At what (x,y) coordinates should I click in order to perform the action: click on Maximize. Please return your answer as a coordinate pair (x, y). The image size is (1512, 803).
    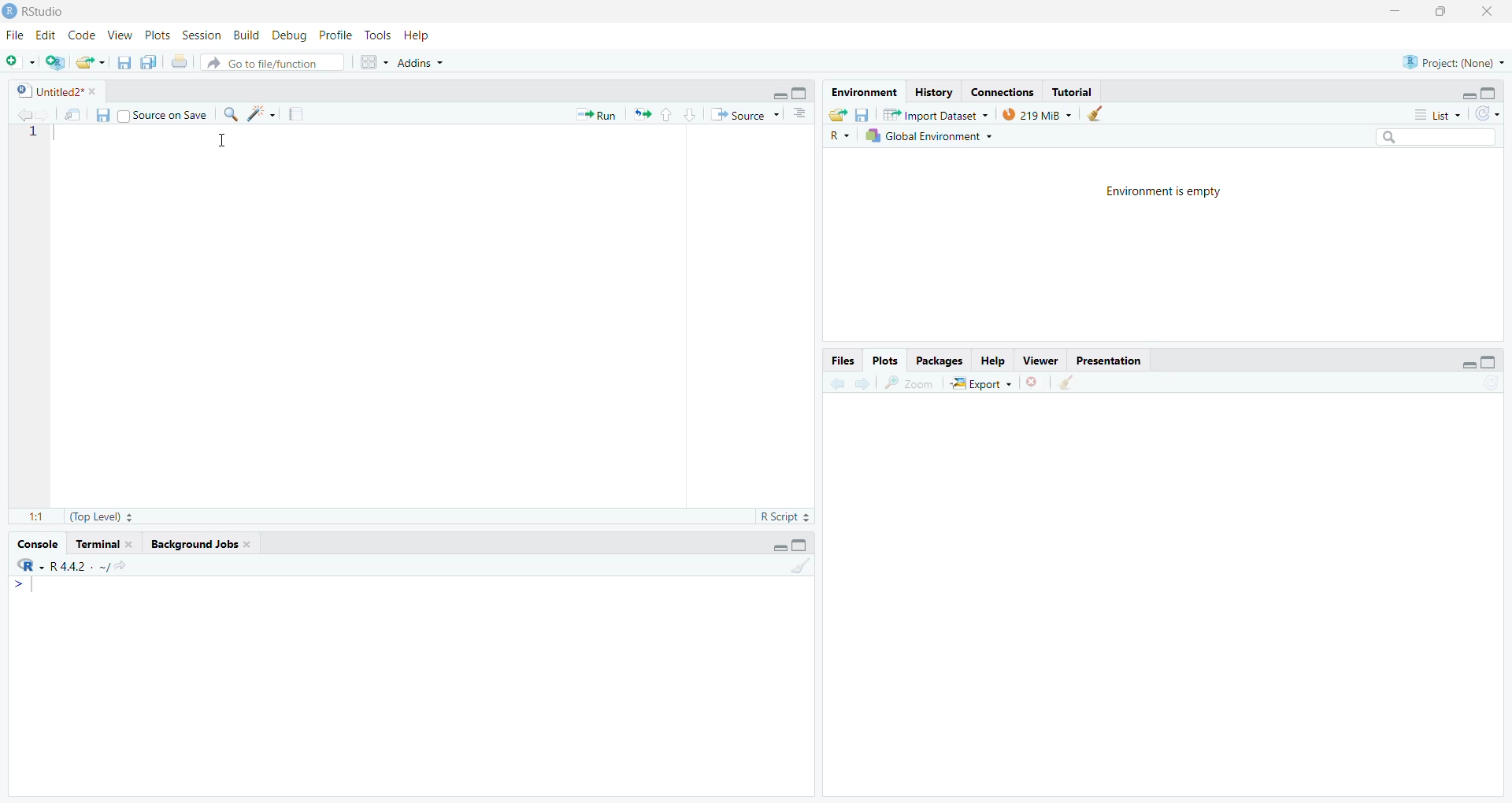
    Looking at the image, I should click on (1445, 13).